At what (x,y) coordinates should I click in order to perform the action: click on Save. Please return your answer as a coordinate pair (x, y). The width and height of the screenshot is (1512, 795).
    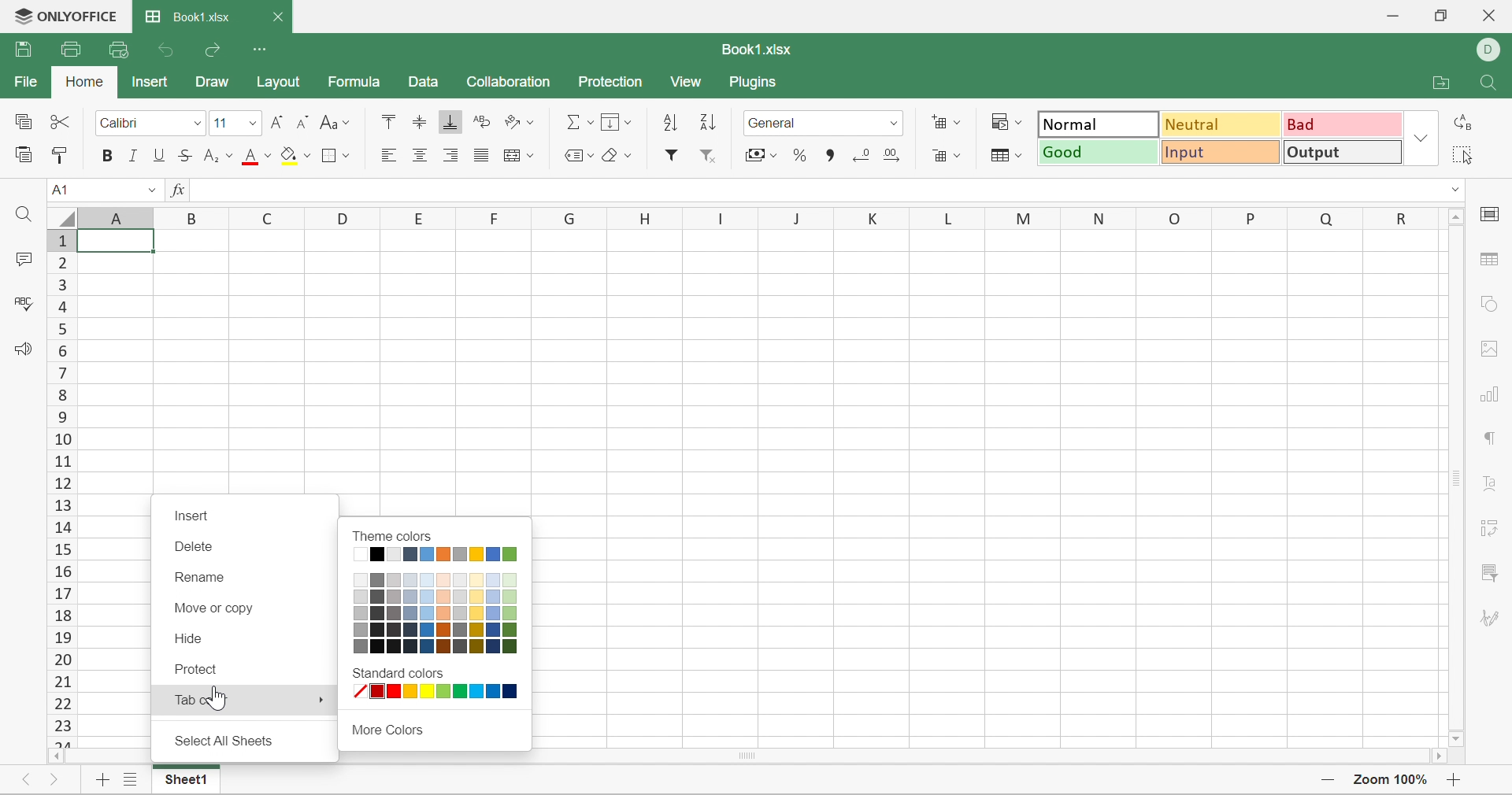
    Looking at the image, I should click on (24, 48).